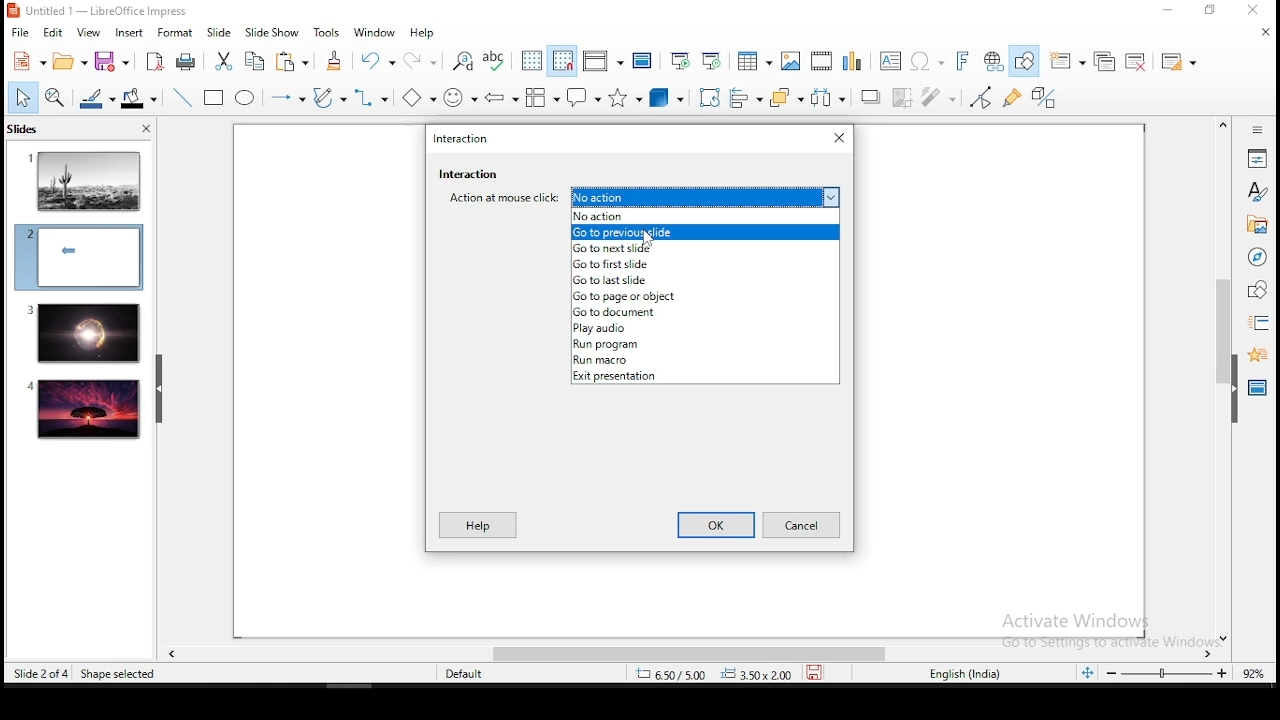  What do you see at coordinates (681, 654) in the screenshot?
I see `scroll bar` at bounding box center [681, 654].